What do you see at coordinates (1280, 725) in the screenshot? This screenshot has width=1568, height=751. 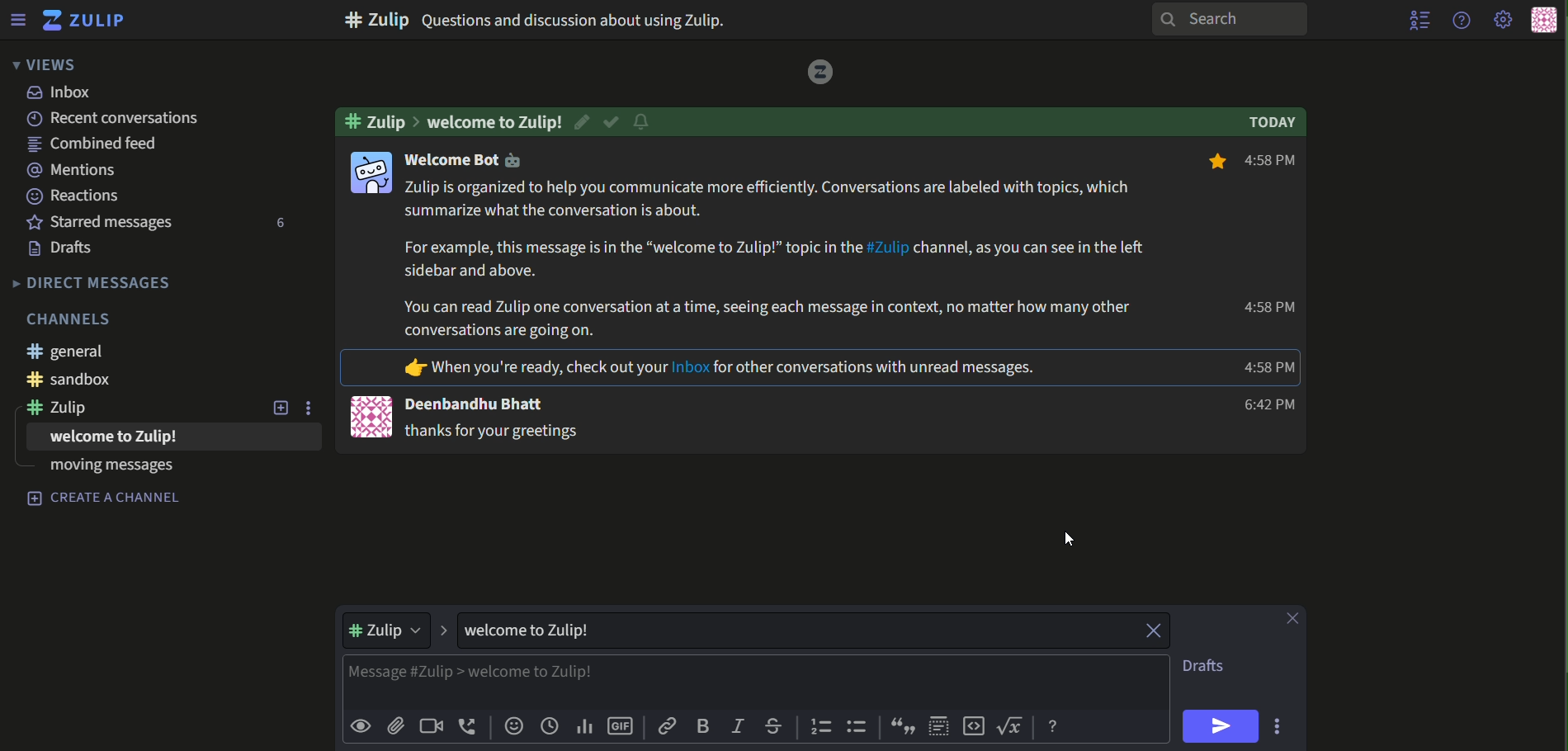 I see `options` at bounding box center [1280, 725].